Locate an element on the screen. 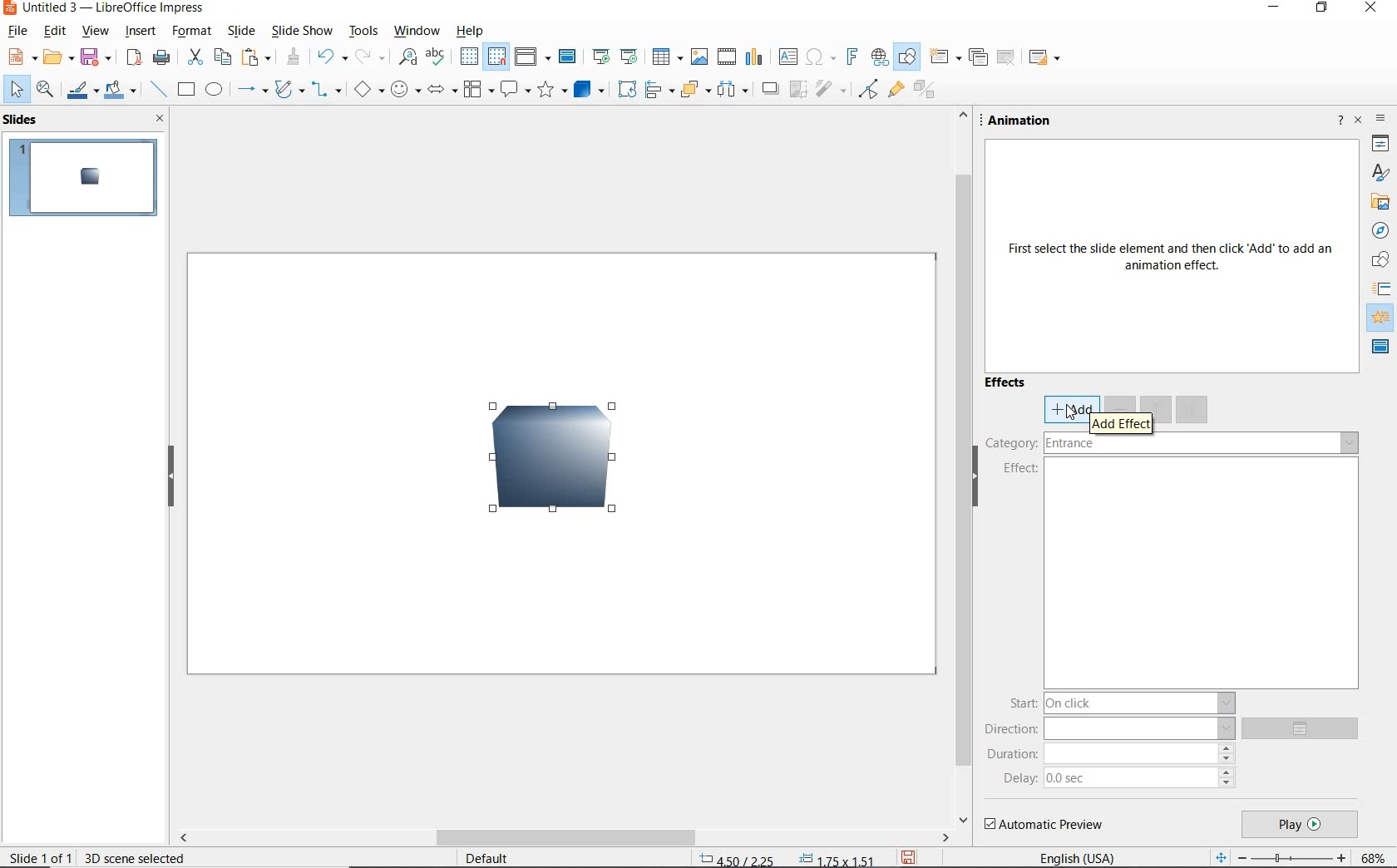 This screenshot has width=1397, height=868. show gluepoint functions is located at coordinates (896, 91).